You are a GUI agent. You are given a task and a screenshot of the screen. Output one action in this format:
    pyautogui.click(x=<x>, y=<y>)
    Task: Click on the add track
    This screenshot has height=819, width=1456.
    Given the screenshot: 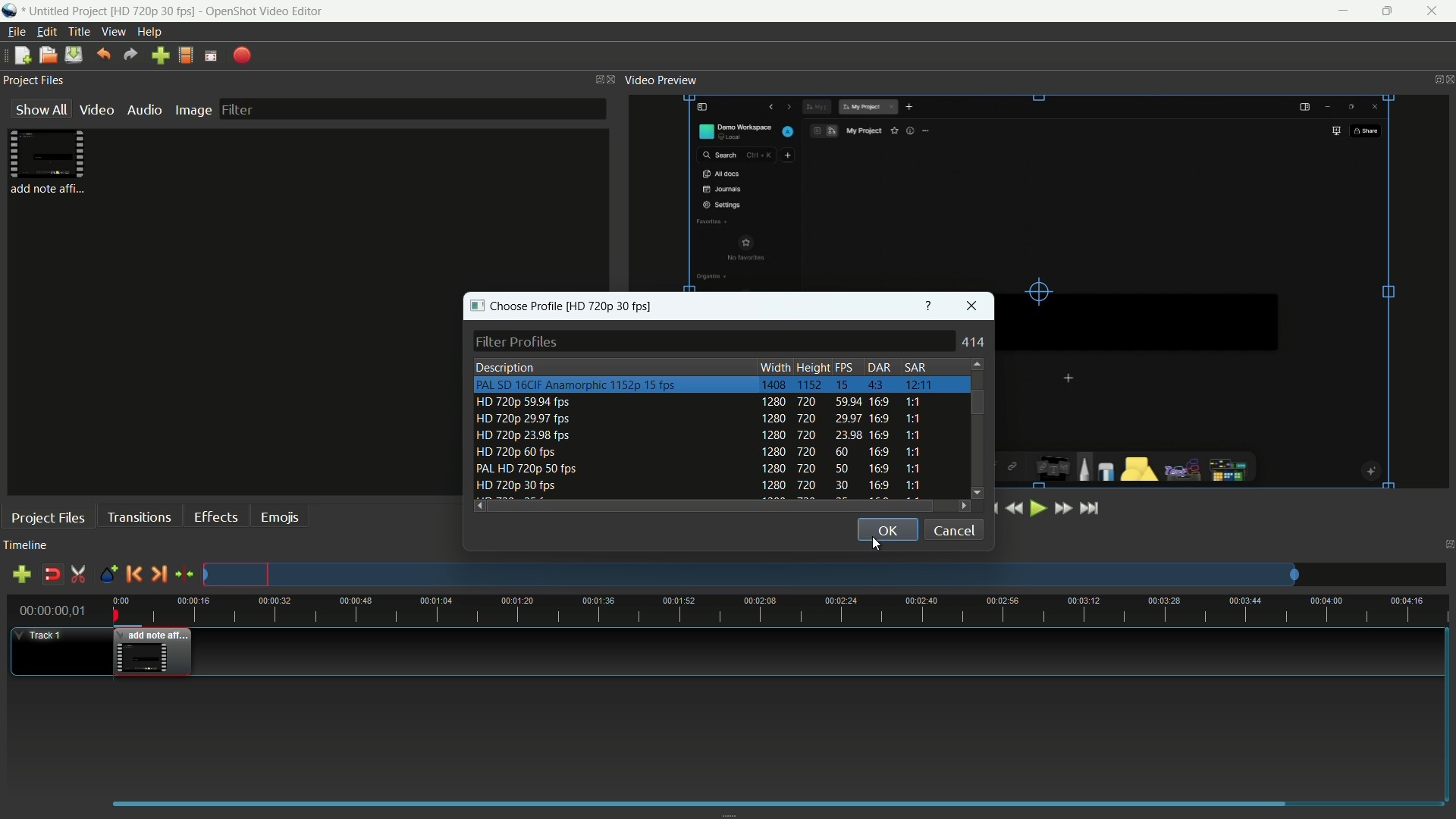 What is the action you would take?
    pyautogui.click(x=21, y=575)
    